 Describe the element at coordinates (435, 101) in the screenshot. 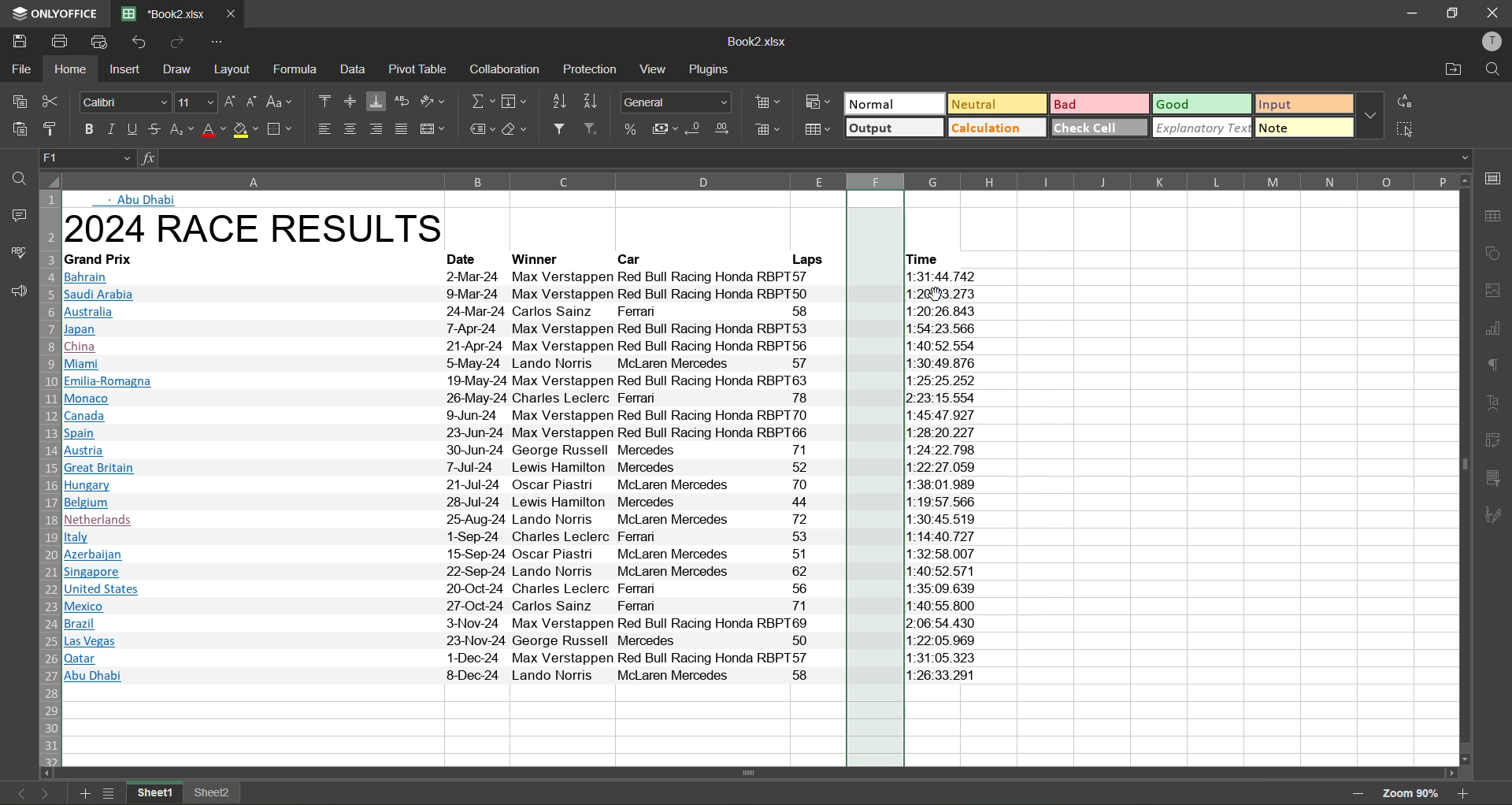

I see `orientation` at that location.